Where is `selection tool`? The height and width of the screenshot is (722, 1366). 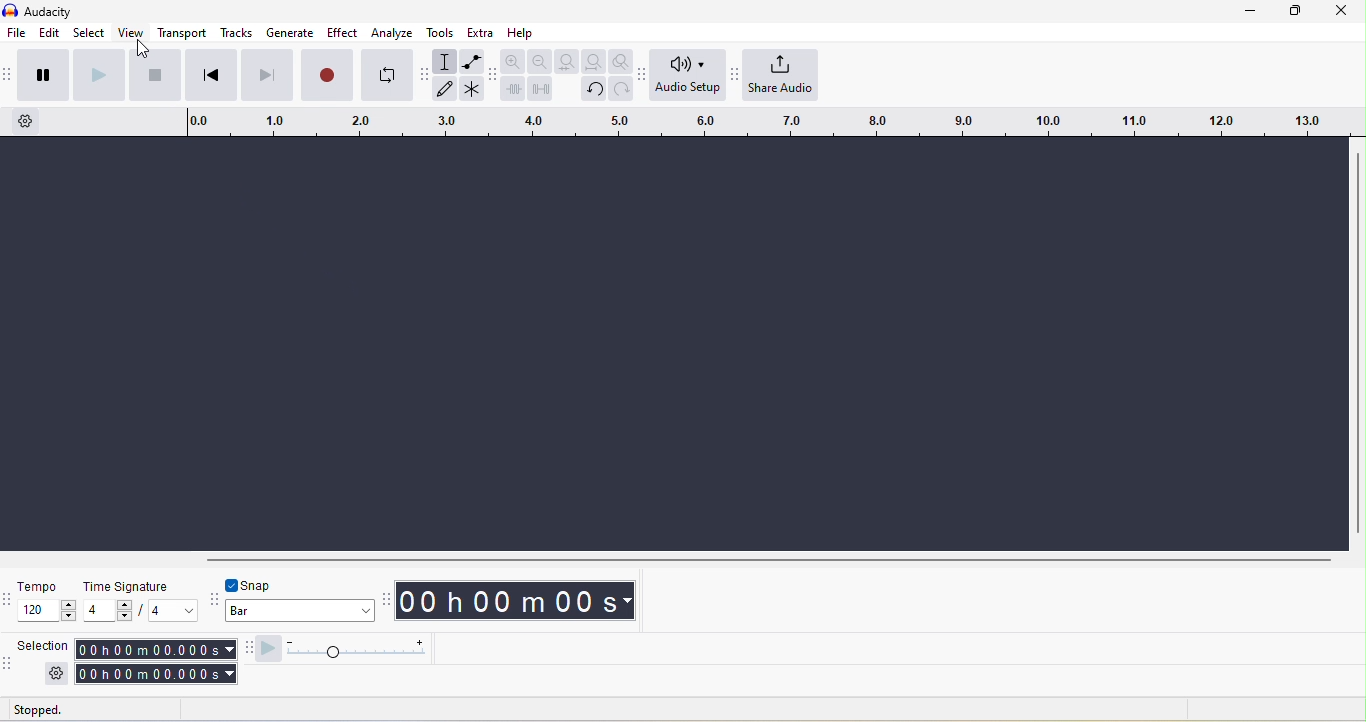 selection tool is located at coordinates (444, 61).